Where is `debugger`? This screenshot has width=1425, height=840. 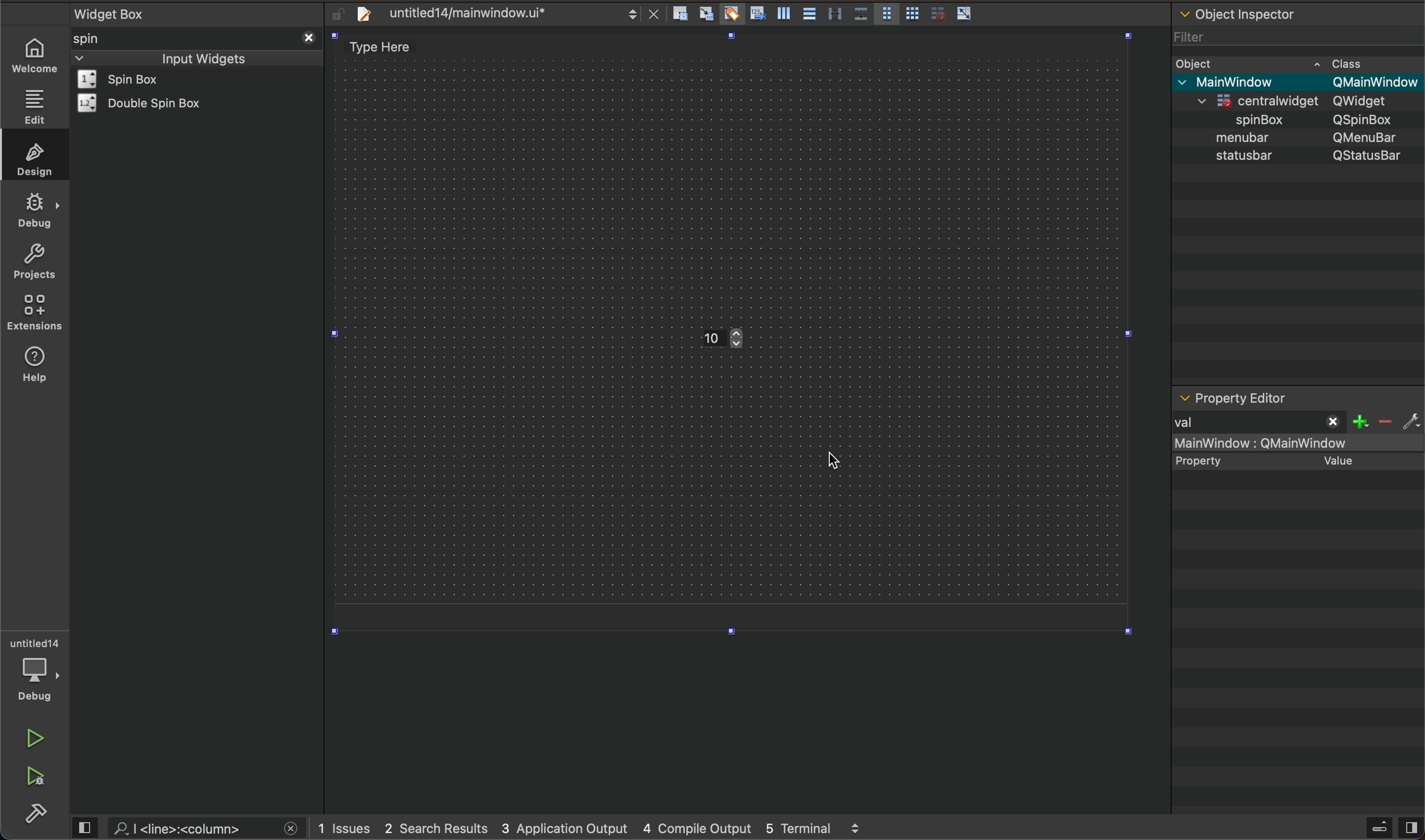
debugger is located at coordinates (37, 670).